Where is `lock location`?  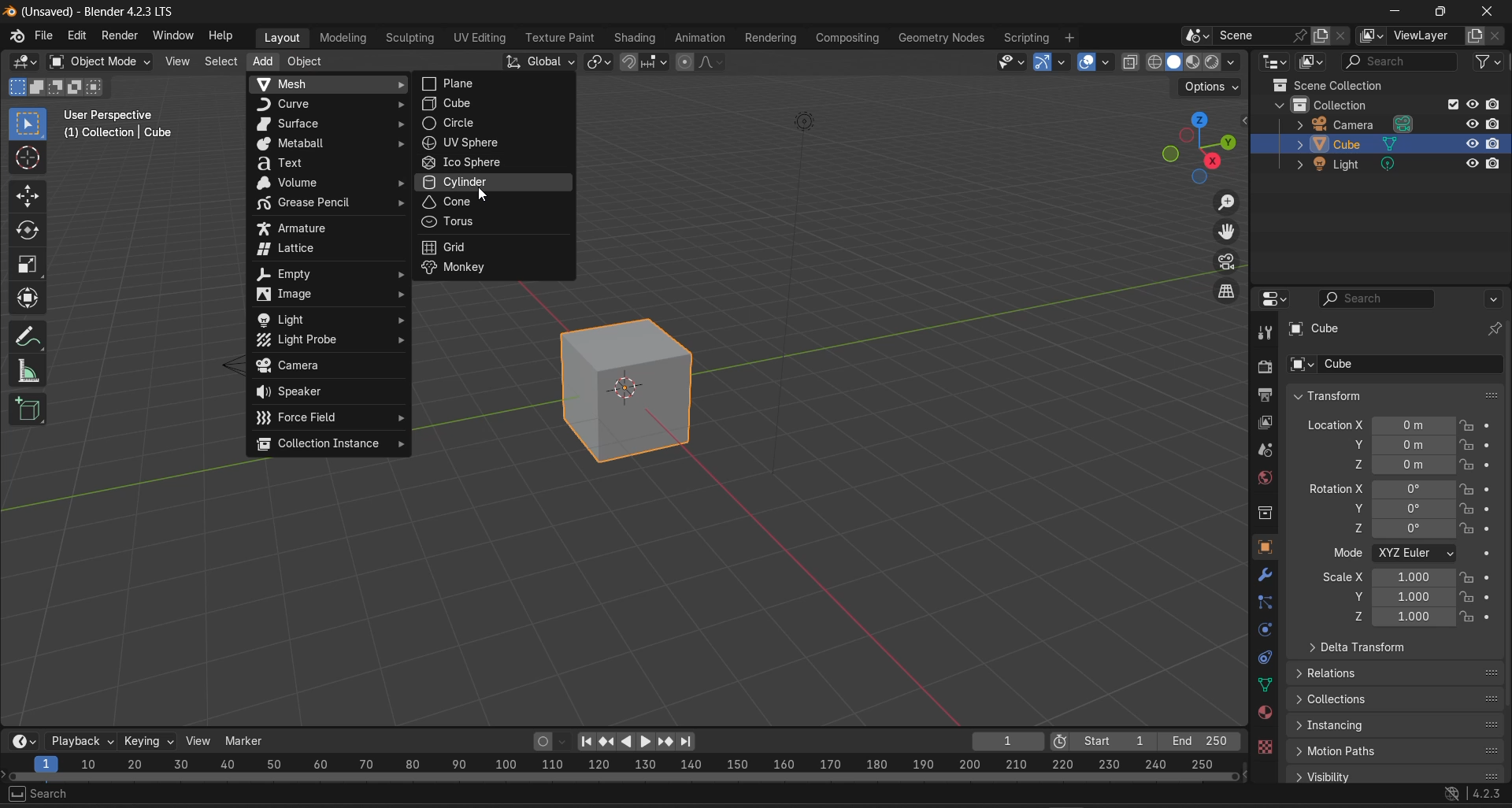
lock location is located at coordinates (1467, 445).